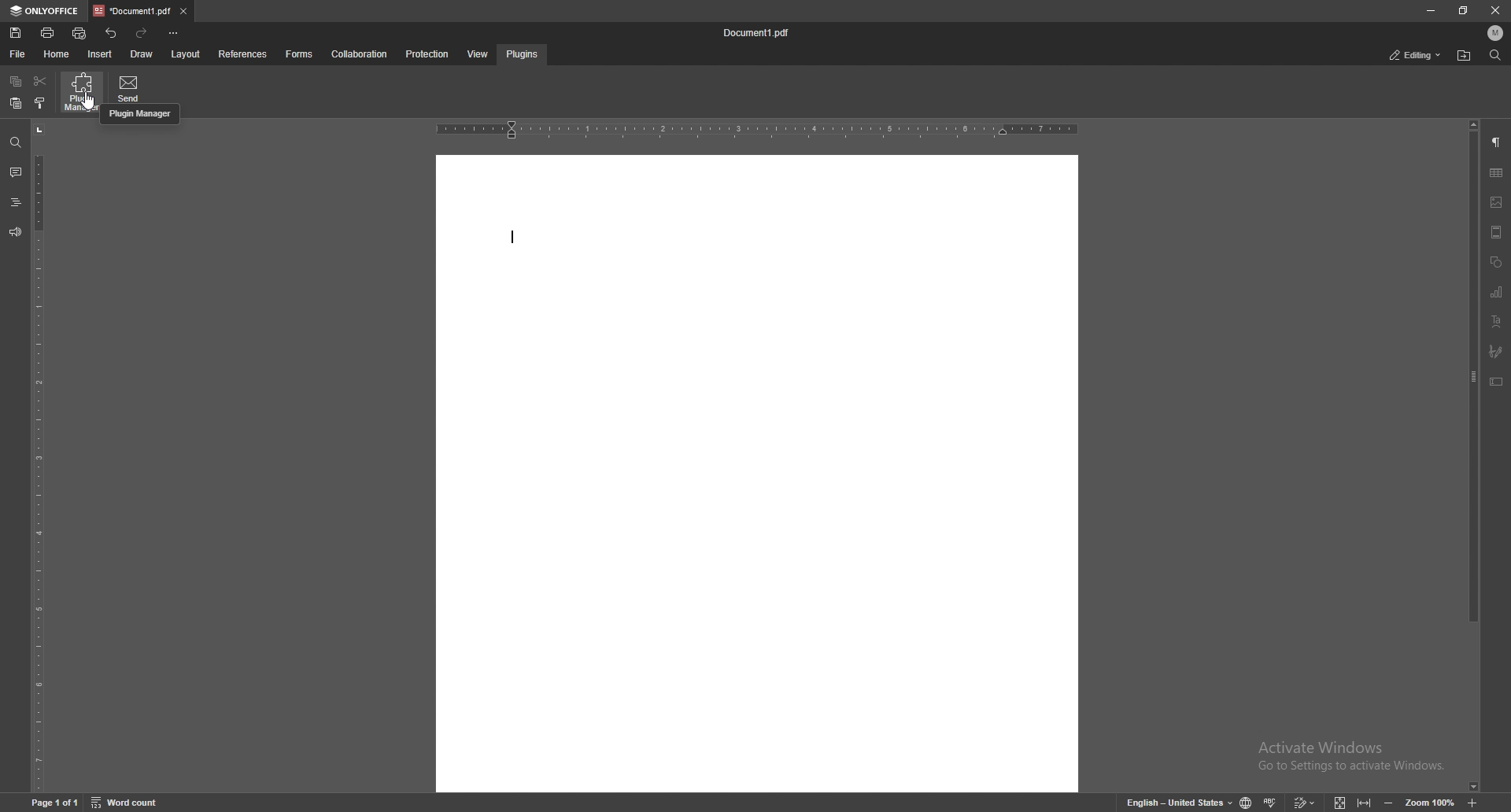 Image resolution: width=1511 pixels, height=812 pixels. What do you see at coordinates (427, 54) in the screenshot?
I see `protection` at bounding box center [427, 54].